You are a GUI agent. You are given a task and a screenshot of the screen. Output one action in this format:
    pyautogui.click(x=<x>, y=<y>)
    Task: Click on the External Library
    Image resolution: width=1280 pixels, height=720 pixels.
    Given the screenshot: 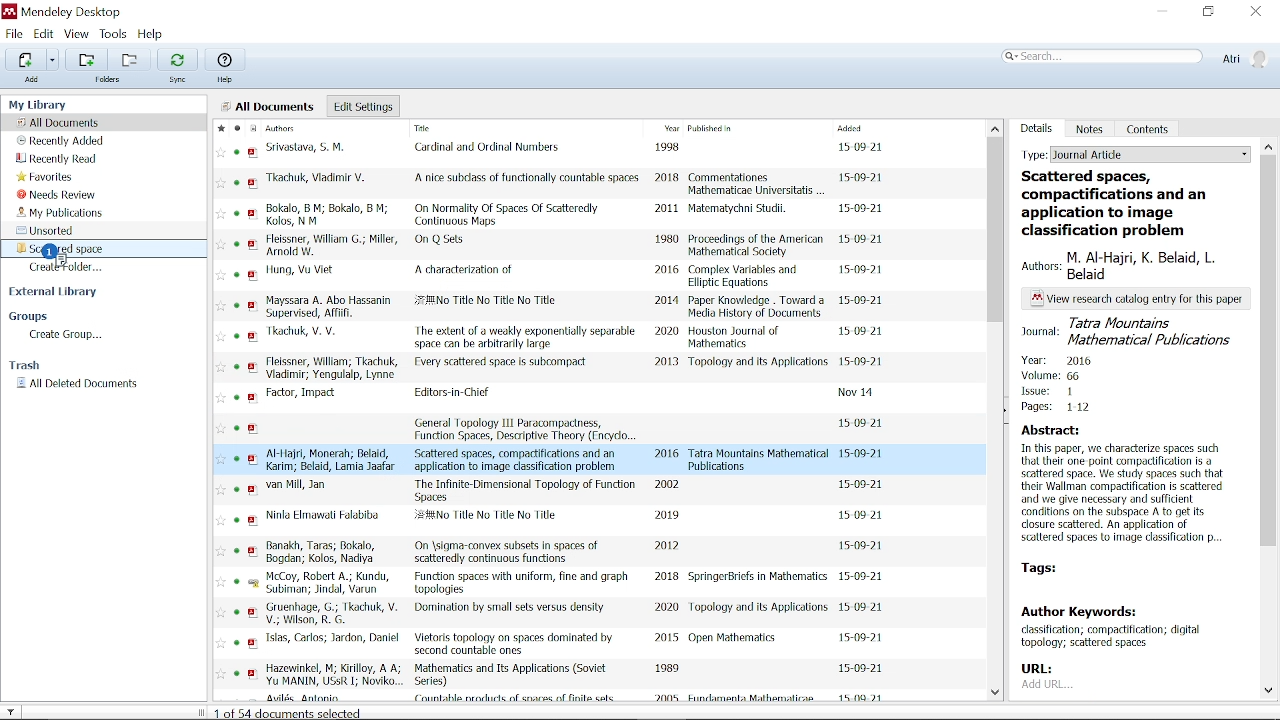 What is the action you would take?
    pyautogui.click(x=56, y=293)
    